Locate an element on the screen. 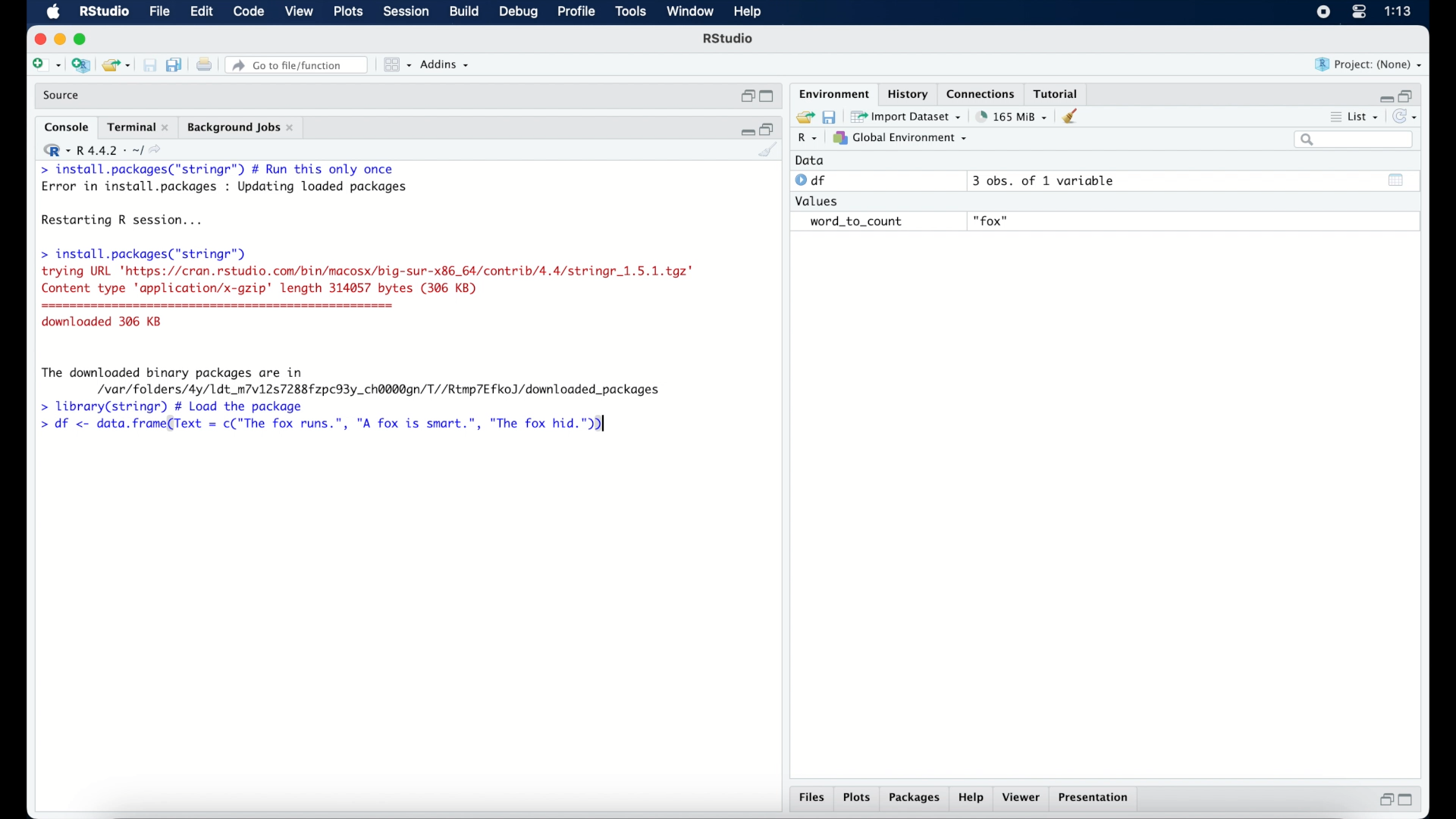 The width and height of the screenshot is (1456, 819). view in pane is located at coordinates (396, 65).